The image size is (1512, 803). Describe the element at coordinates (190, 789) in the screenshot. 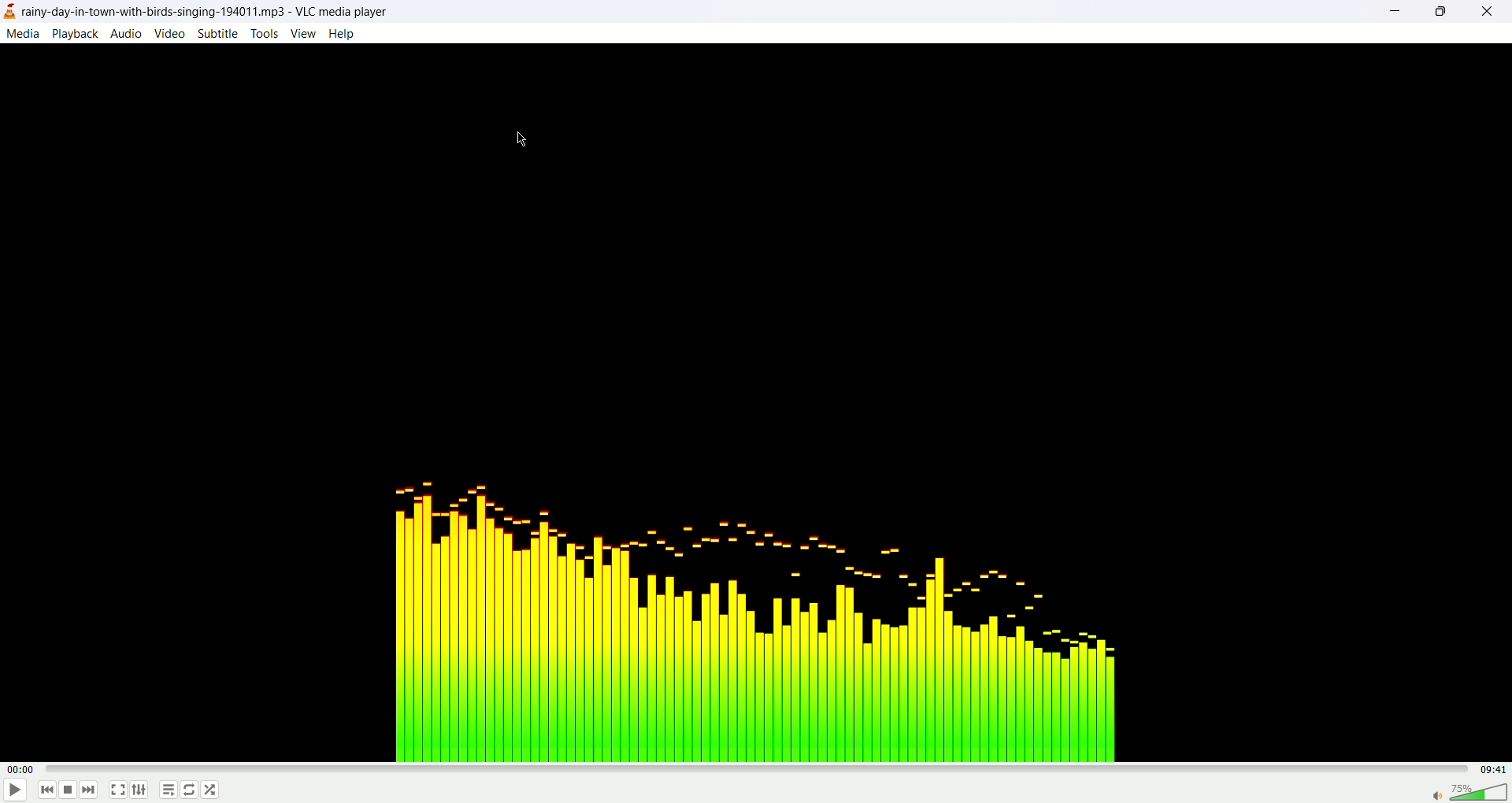

I see `loop` at that location.